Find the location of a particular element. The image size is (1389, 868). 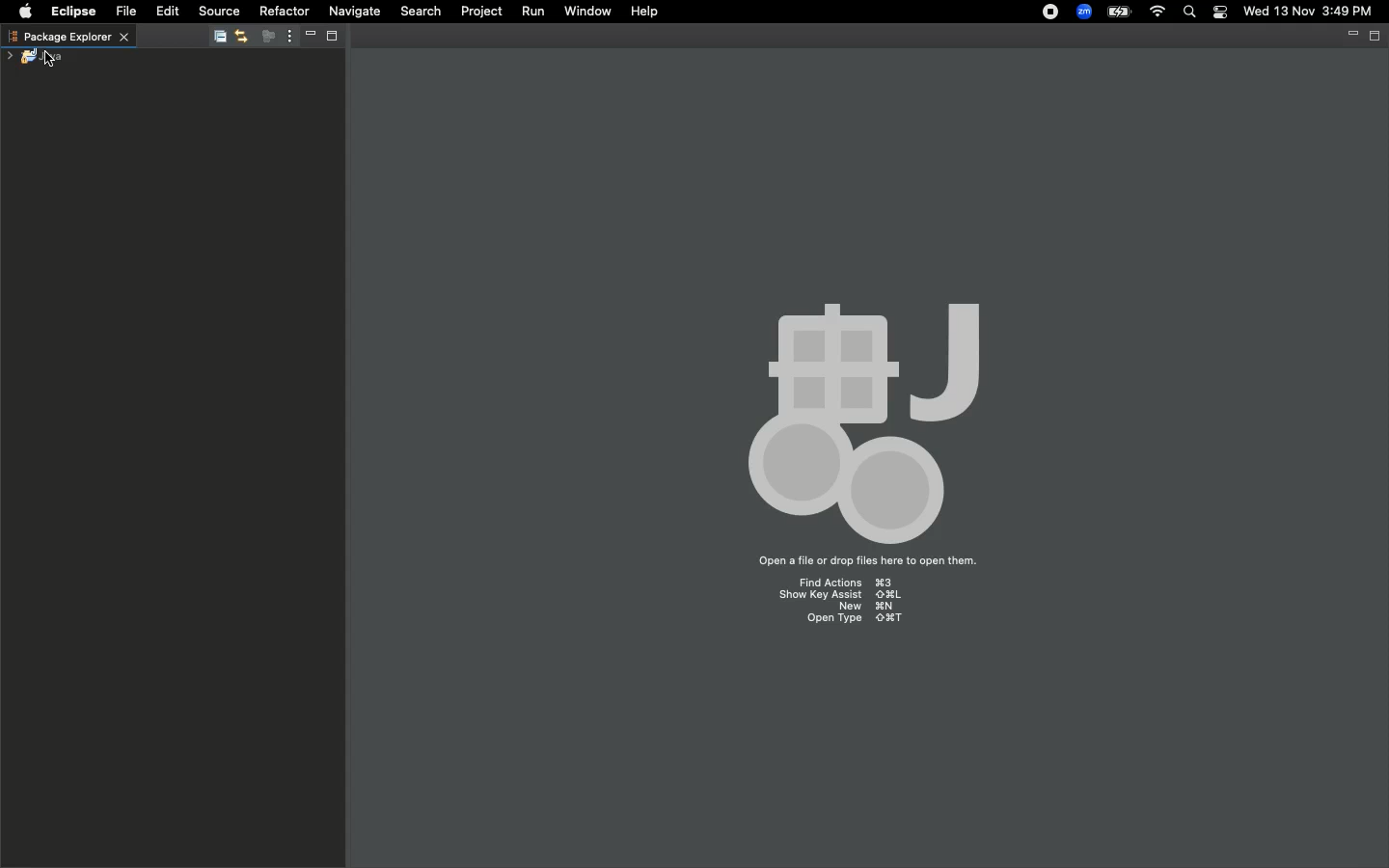

Java project is located at coordinates (43, 56).